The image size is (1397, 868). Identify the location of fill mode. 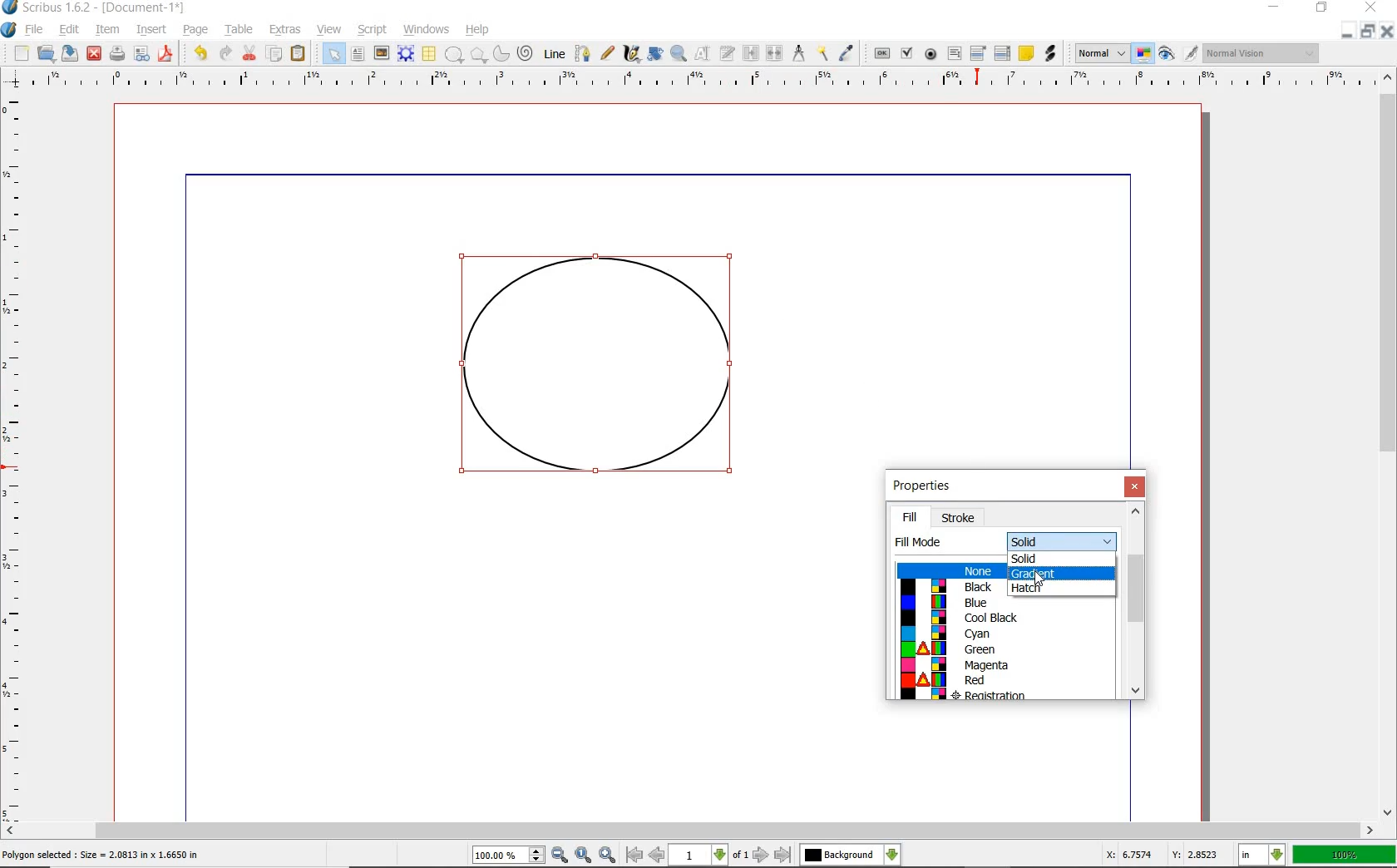
(916, 542).